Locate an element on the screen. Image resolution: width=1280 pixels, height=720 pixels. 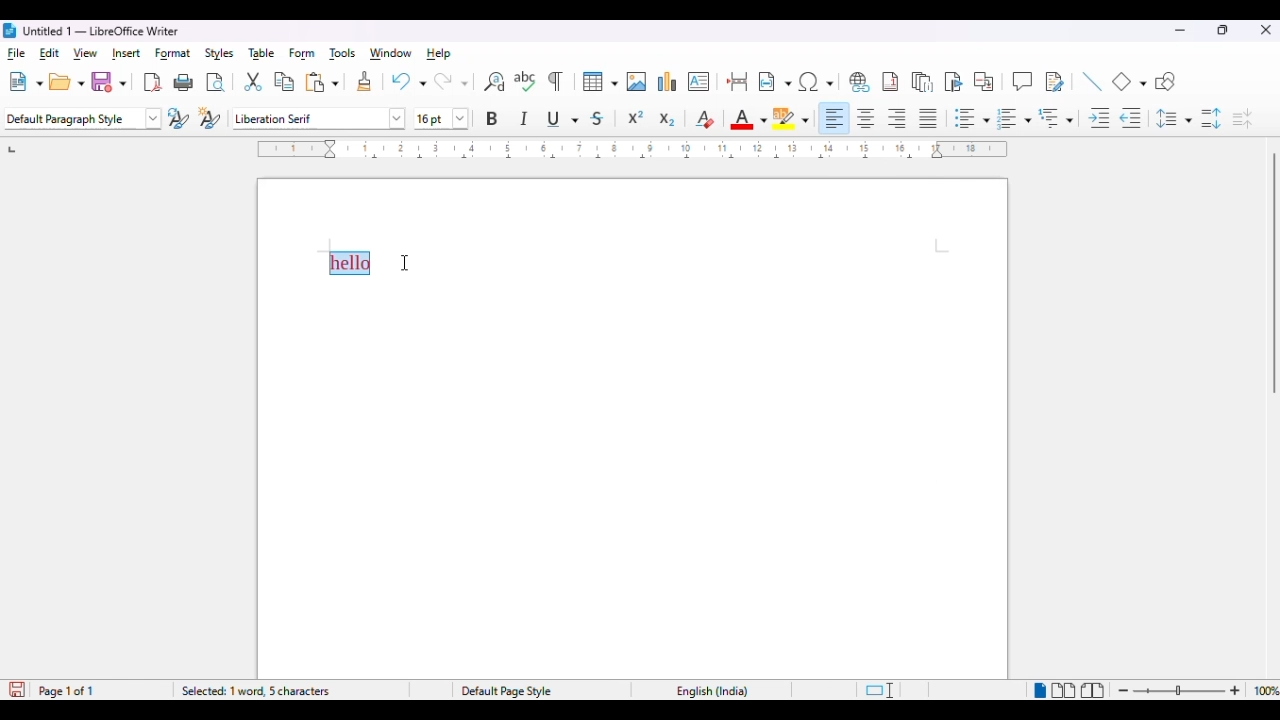
zoom out is located at coordinates (1126, 691).